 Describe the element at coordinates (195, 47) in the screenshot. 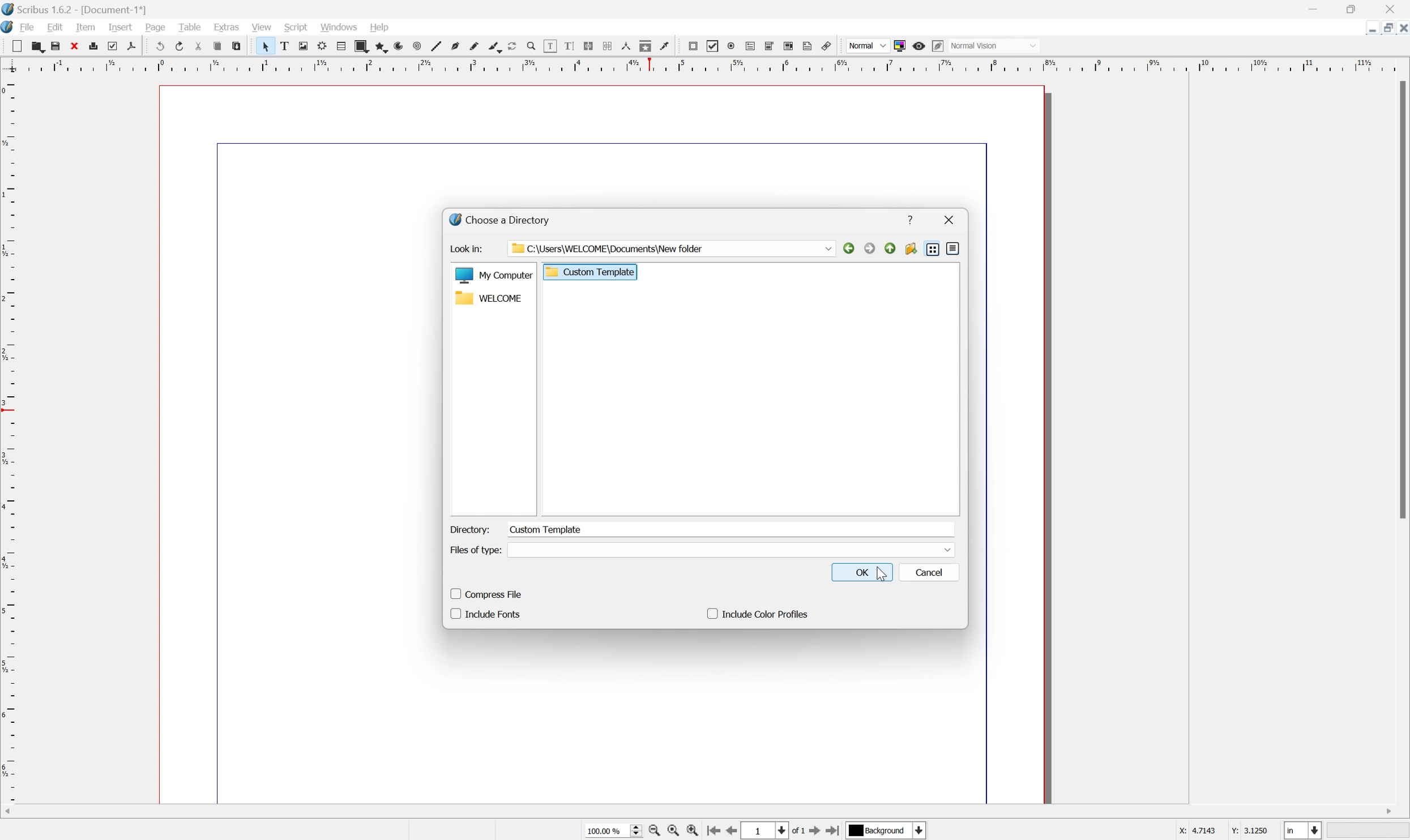

I see `cut` at that location.